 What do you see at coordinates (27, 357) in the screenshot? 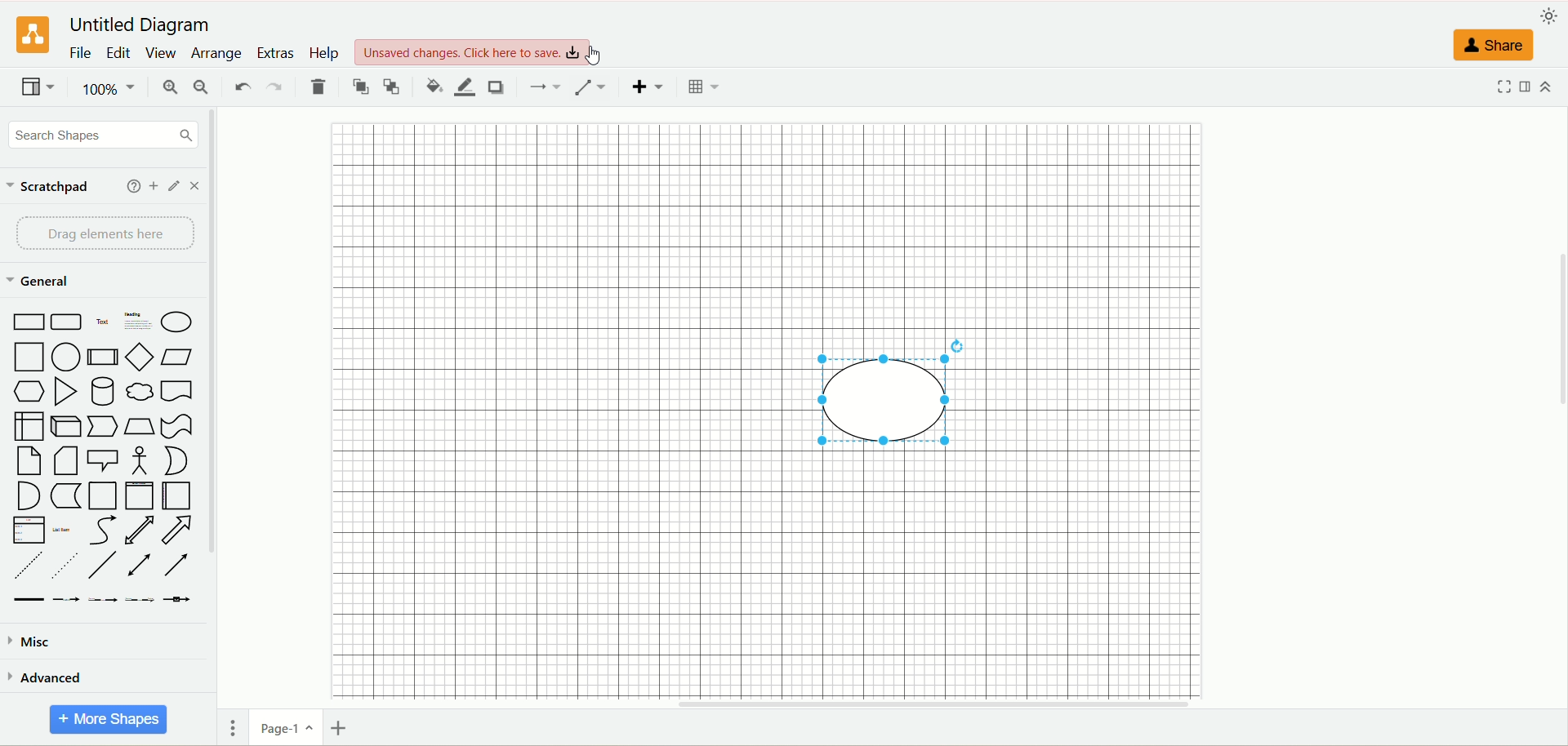
I see `square` at bounding box center [27, 357].